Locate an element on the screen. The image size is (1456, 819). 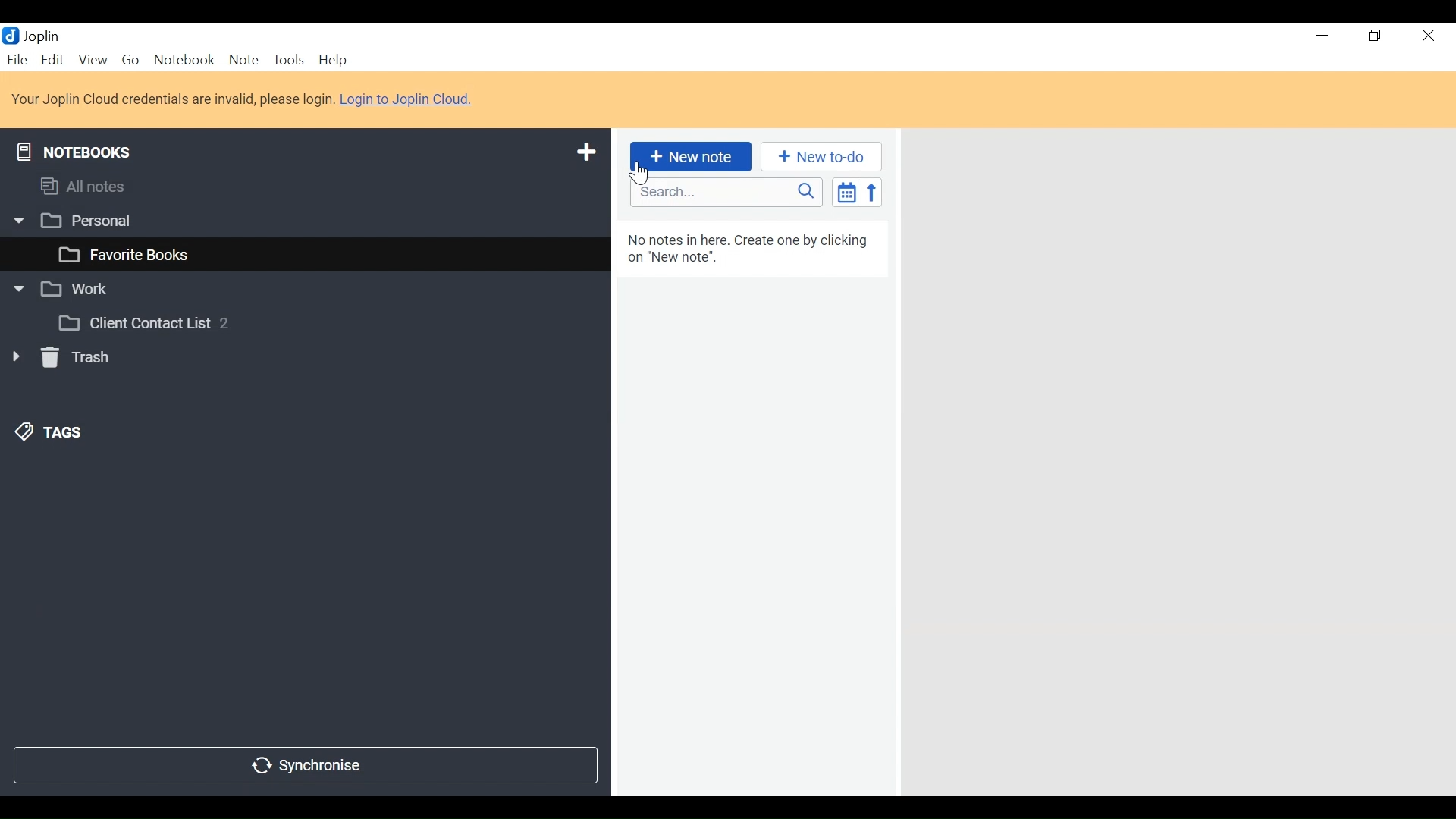
File is located at coordinates (17, 58).